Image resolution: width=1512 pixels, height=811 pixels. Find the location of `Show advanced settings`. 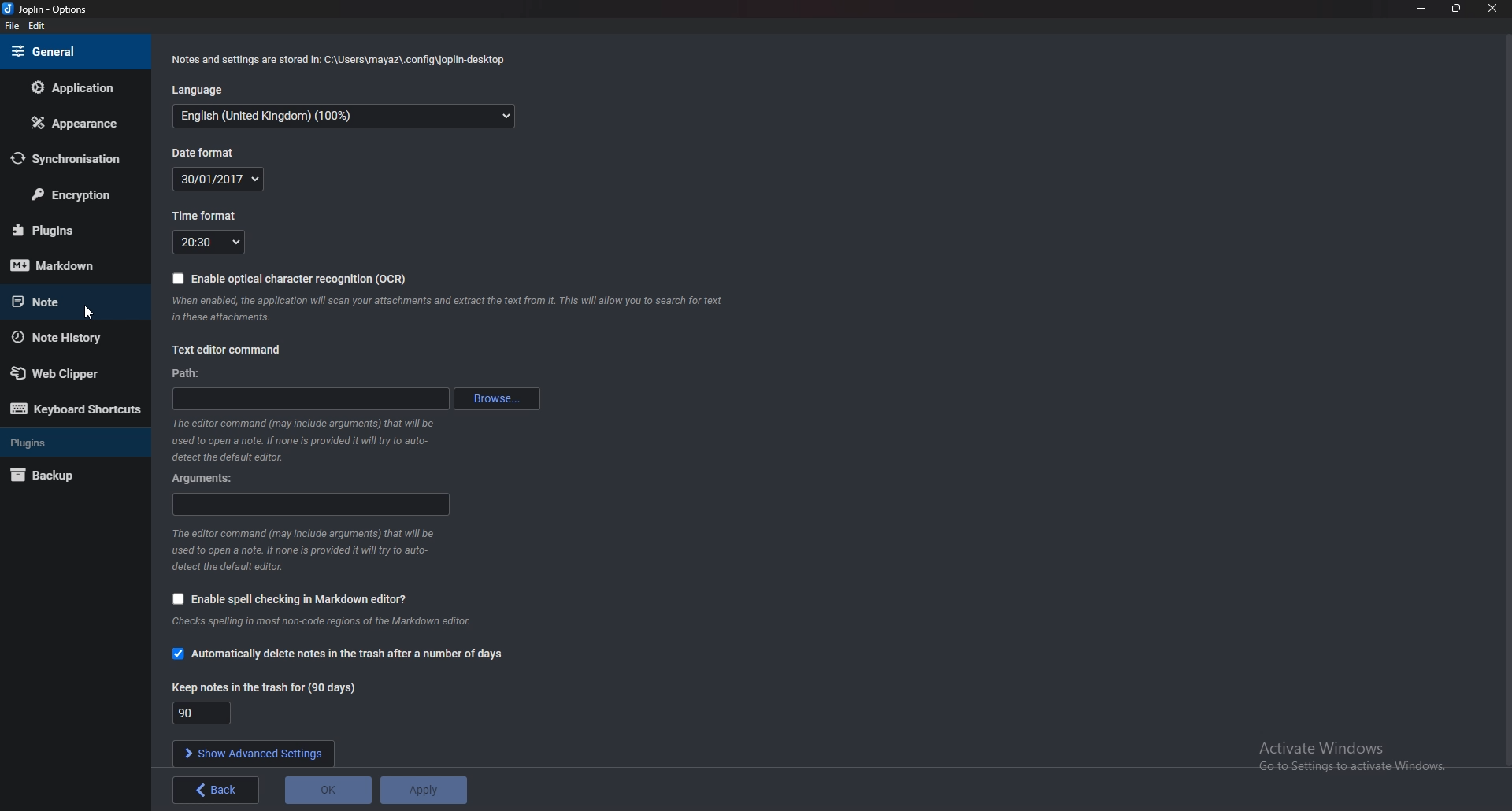

Show advanced settings is located at coordinates (252, 752).